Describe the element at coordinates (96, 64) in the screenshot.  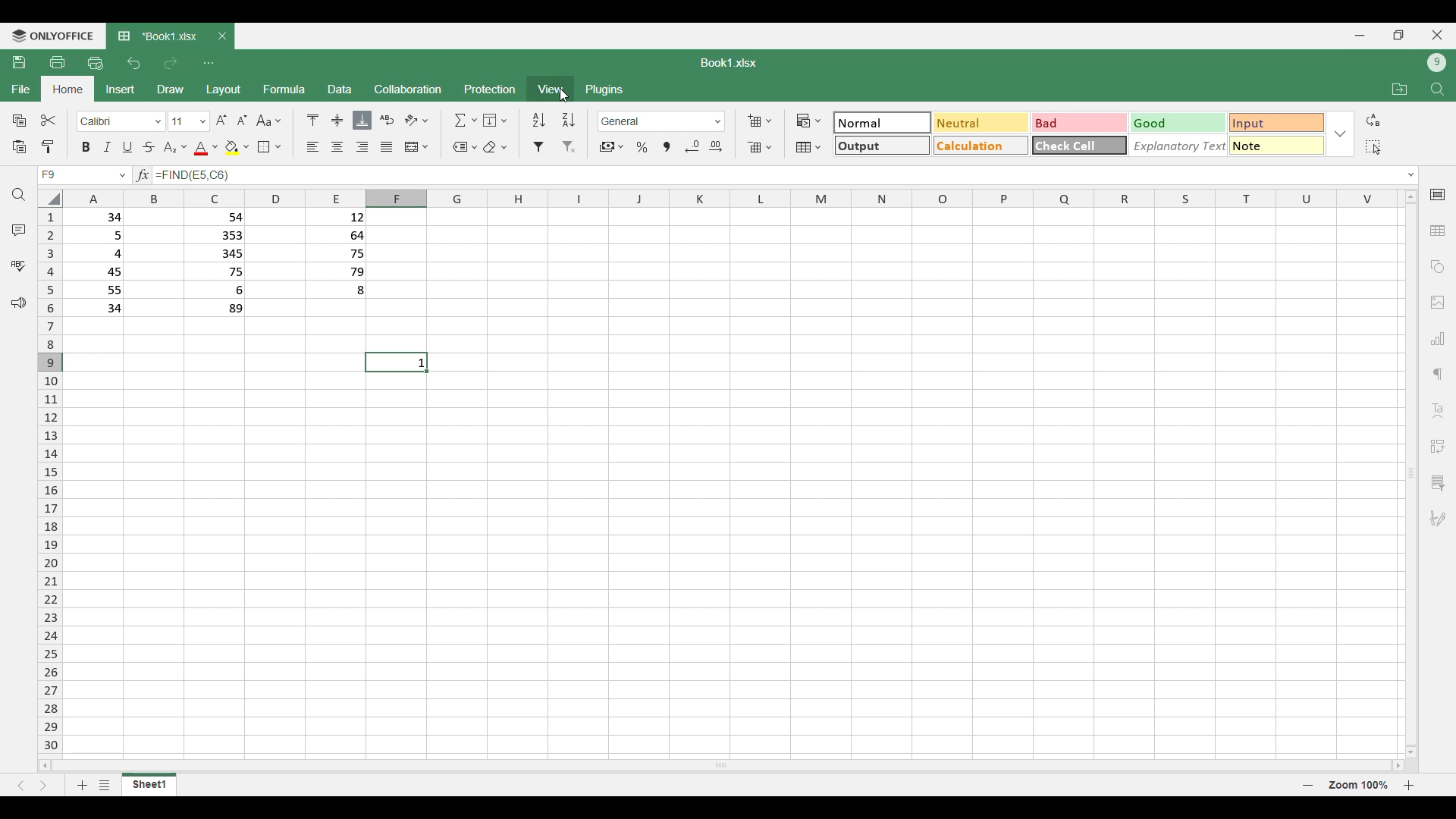
I see `Quick print` at that location.